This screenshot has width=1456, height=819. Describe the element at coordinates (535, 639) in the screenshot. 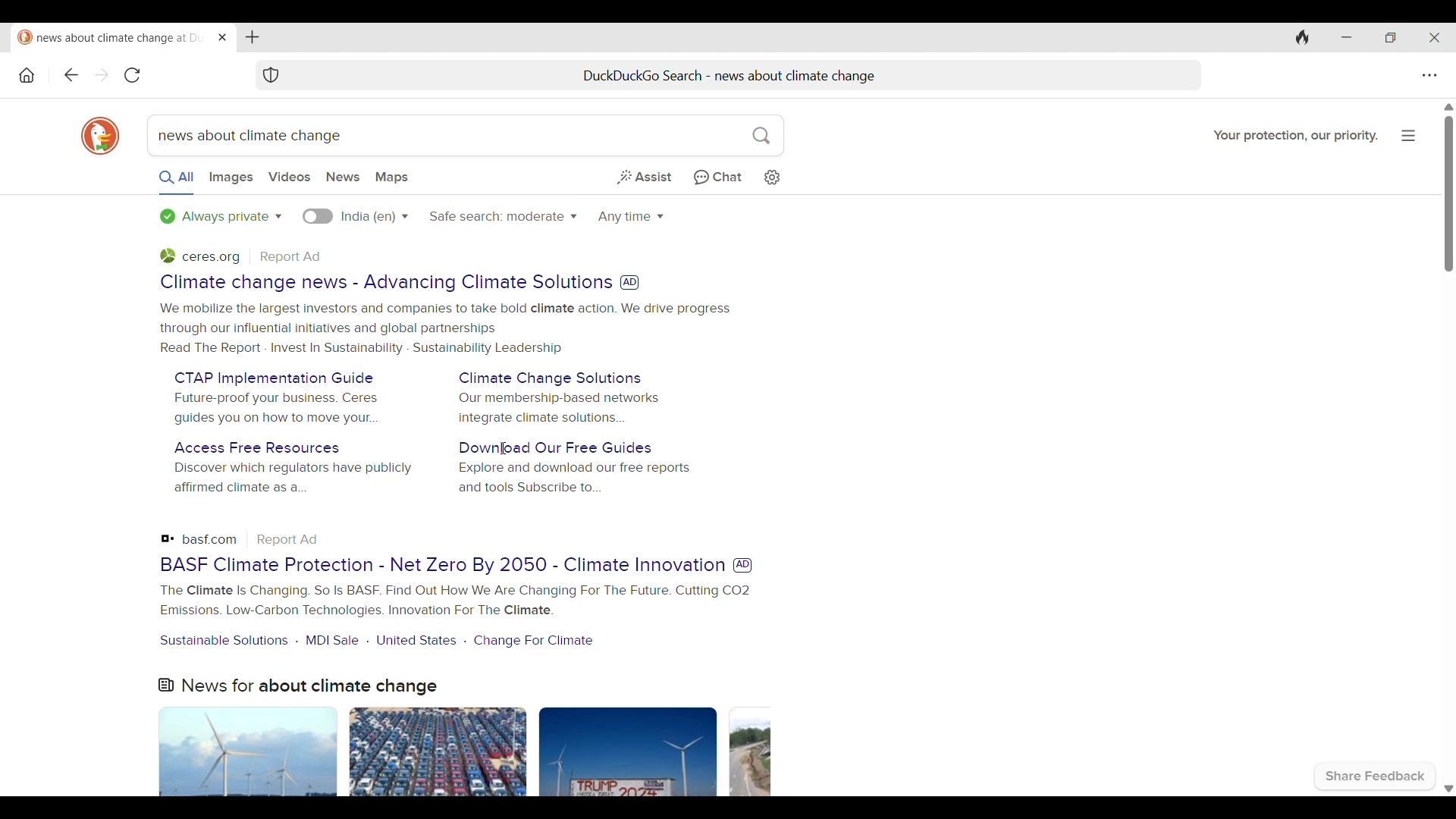

I see `Change for climate ` at that location.